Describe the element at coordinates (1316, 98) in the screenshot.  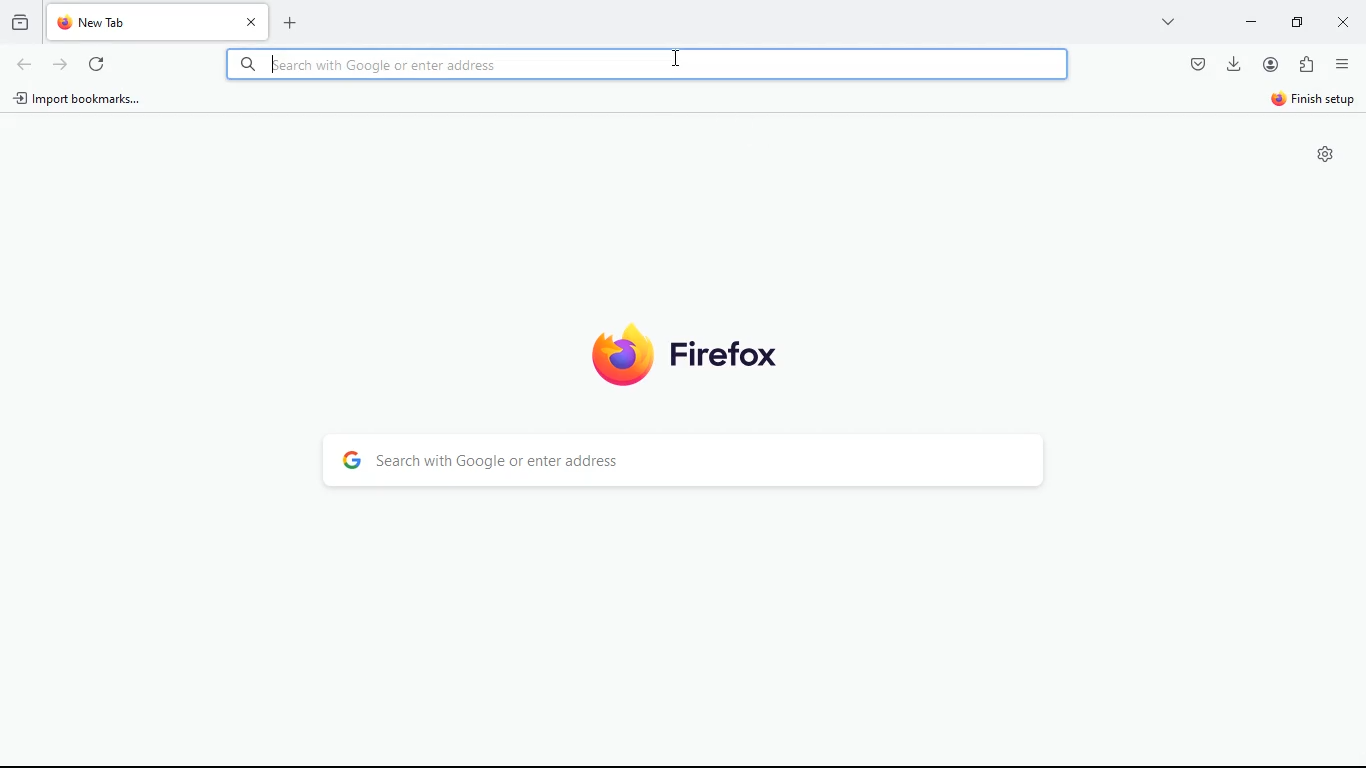
I see `finish setup` at that location.